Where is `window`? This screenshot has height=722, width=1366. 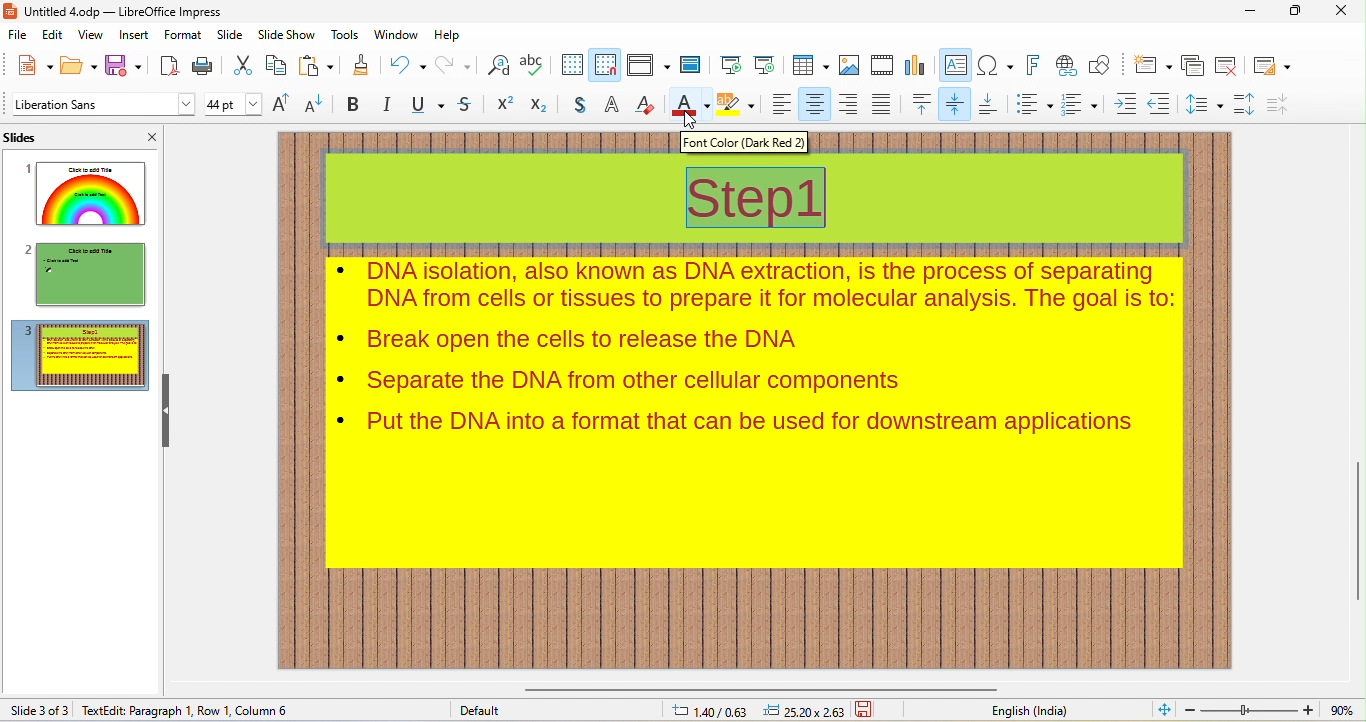 window is located at coordinates (394, 36).